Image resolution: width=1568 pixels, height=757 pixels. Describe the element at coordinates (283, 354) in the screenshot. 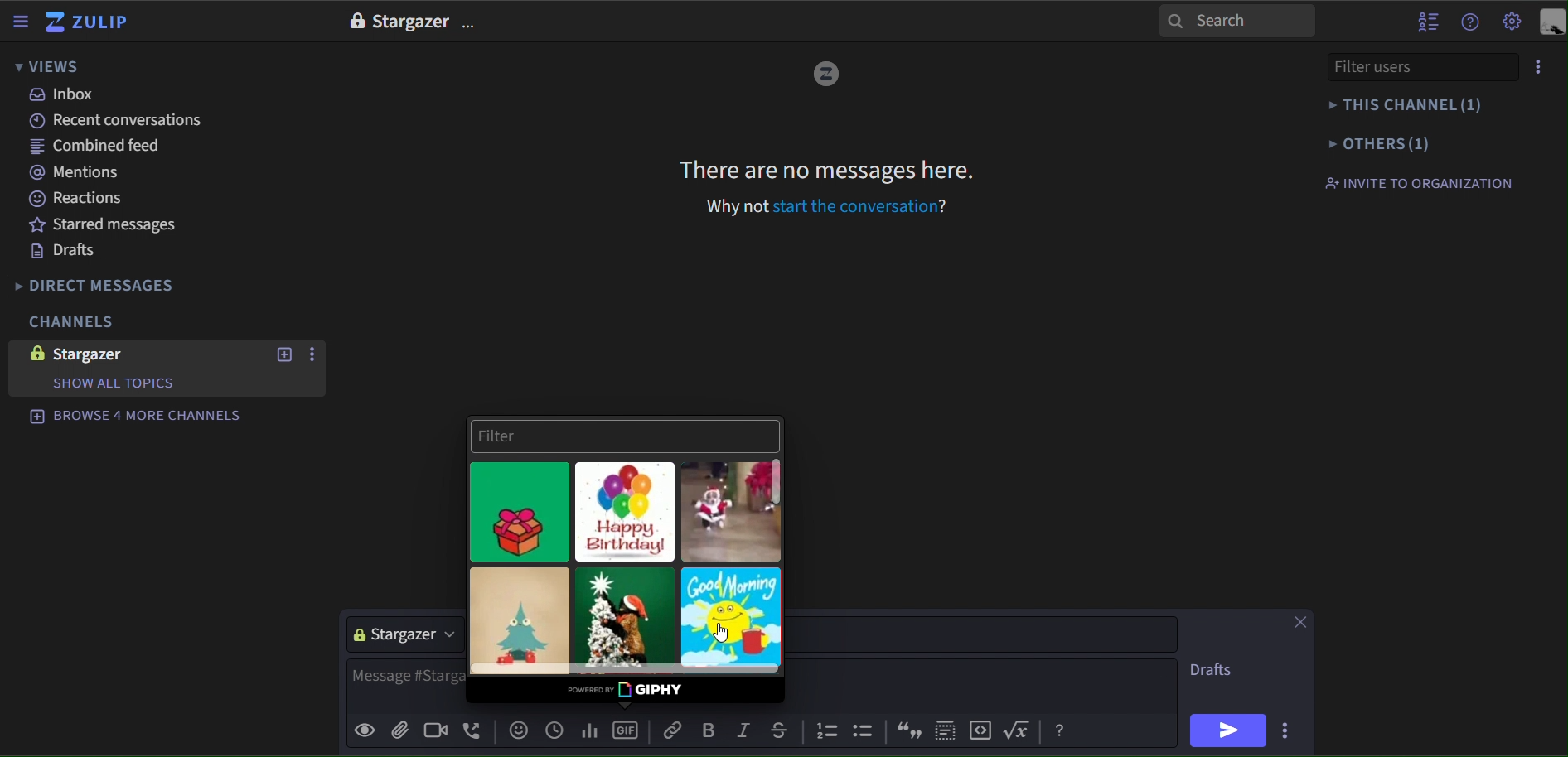

I see `new topic` at that location.